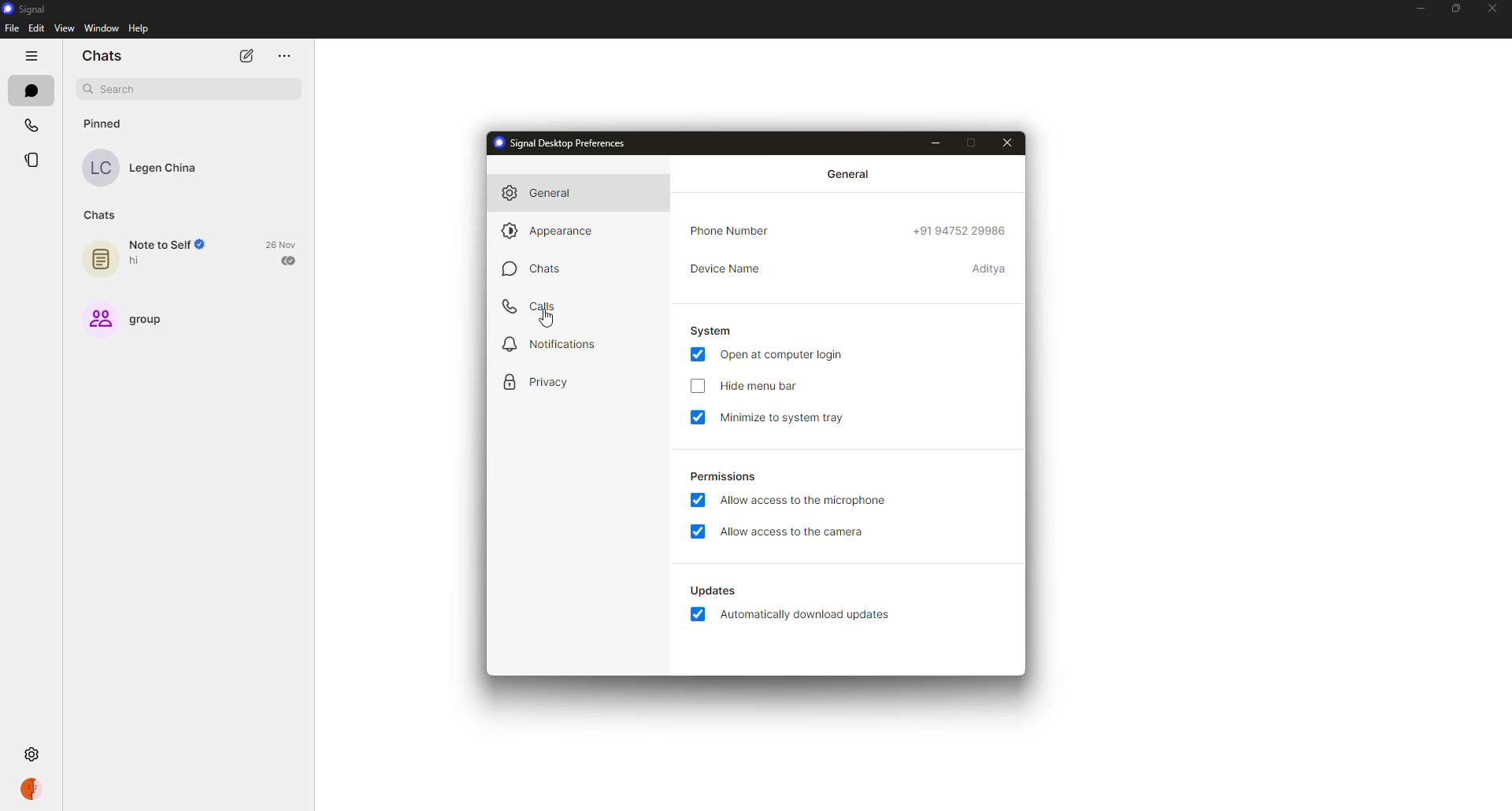 The height and width of the screenshot is (811, 1512). What do you see at coordinates (35, 160) in the screenshot?
I see `stories` at bounding box center [35, 160].